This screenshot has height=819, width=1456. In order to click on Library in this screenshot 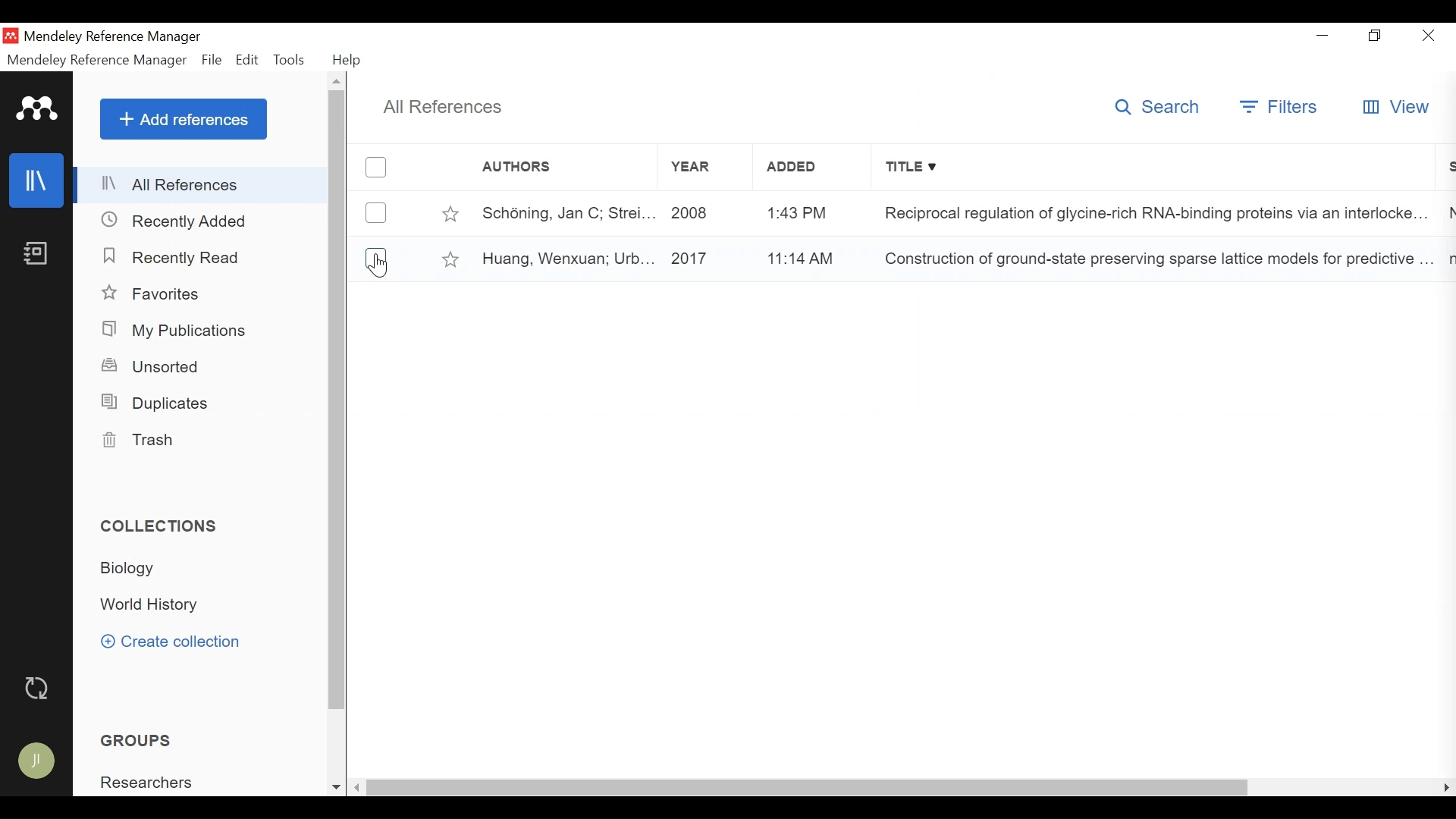, I will do `click(35, 180)`.